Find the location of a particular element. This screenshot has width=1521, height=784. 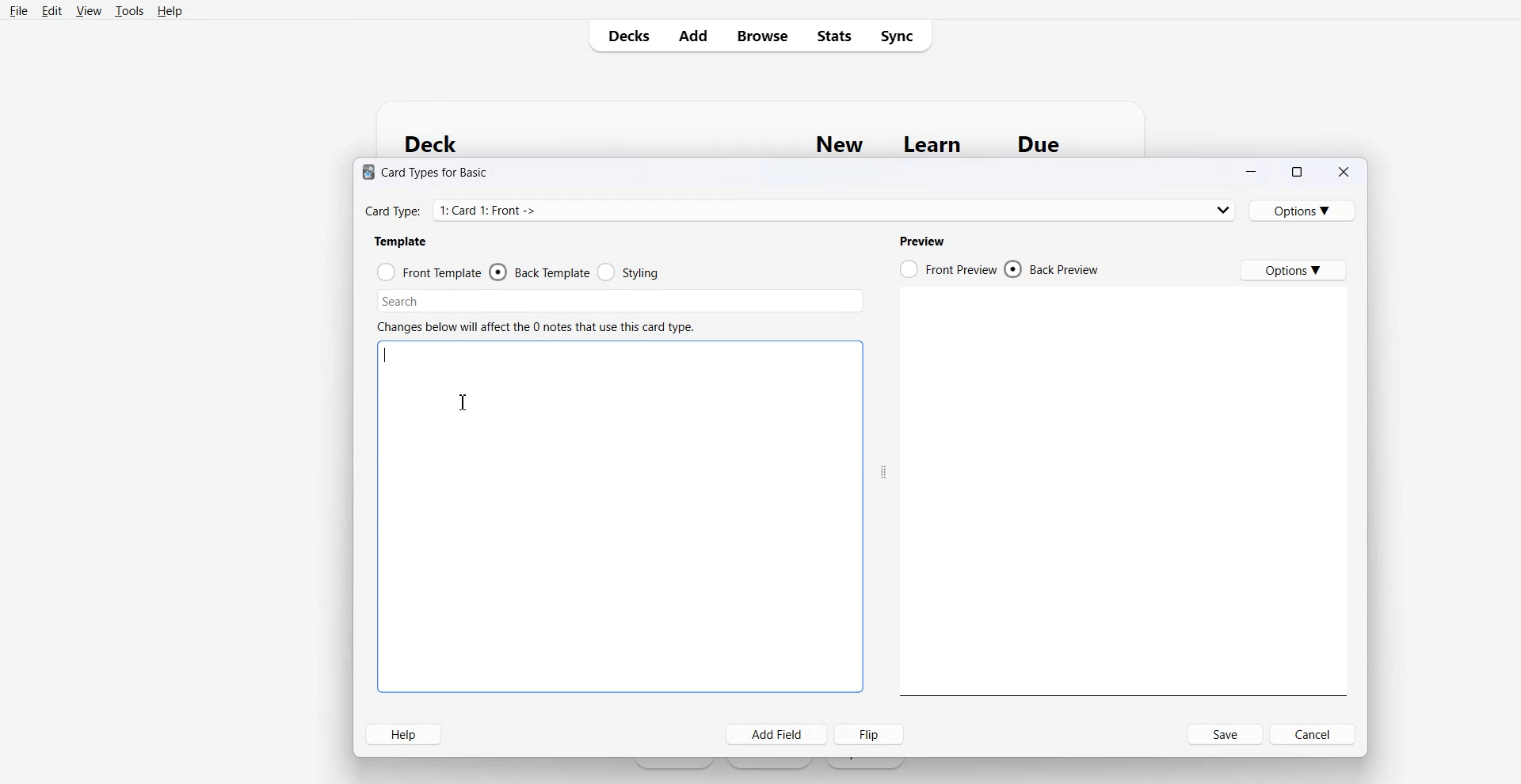

Help is located at coordinates (169, 11).